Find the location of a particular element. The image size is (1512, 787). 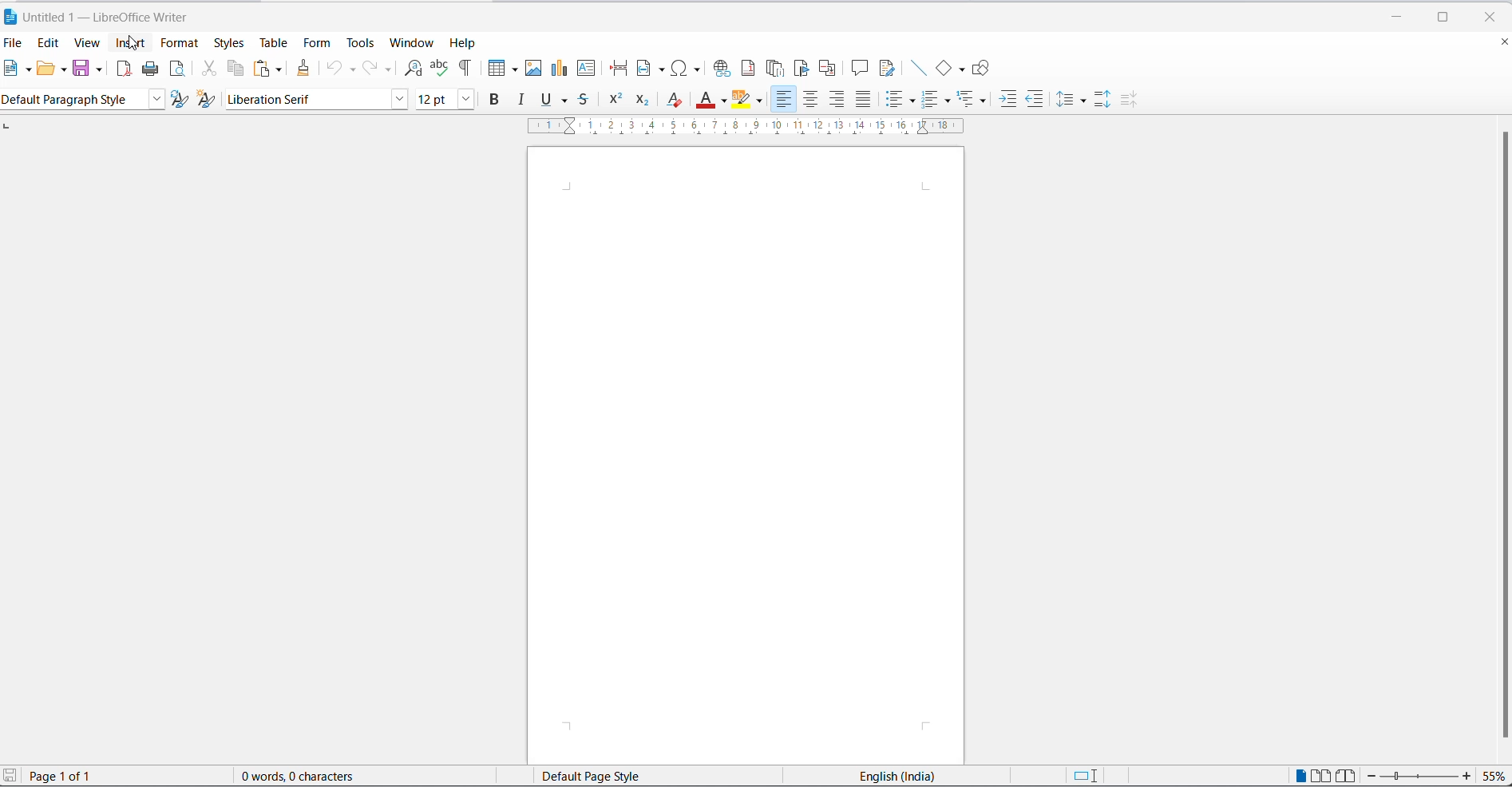

print is located at coordinates (151, 69).